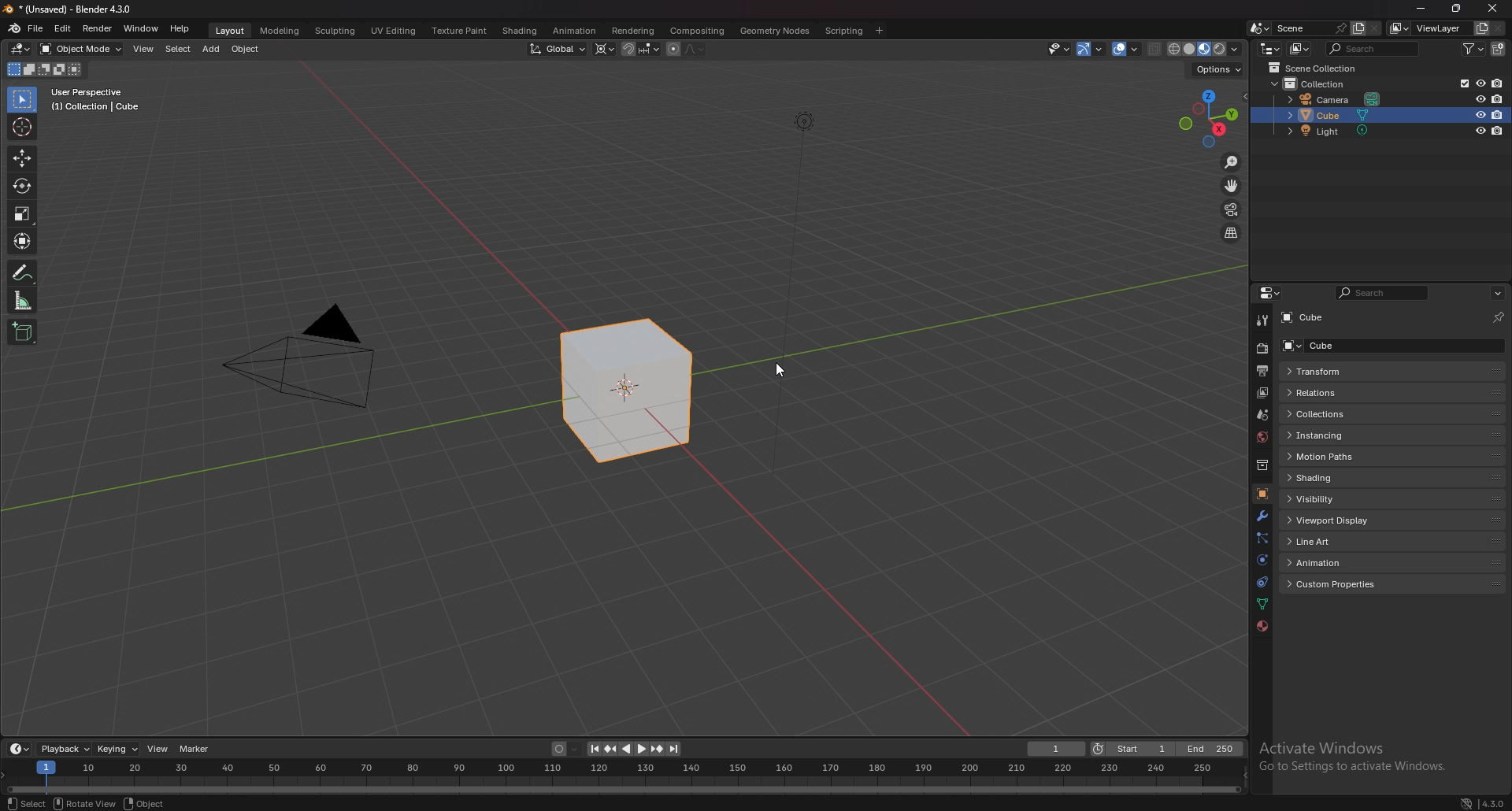 The image size is (1512, 811). I want to click on select, so click(178, 49).